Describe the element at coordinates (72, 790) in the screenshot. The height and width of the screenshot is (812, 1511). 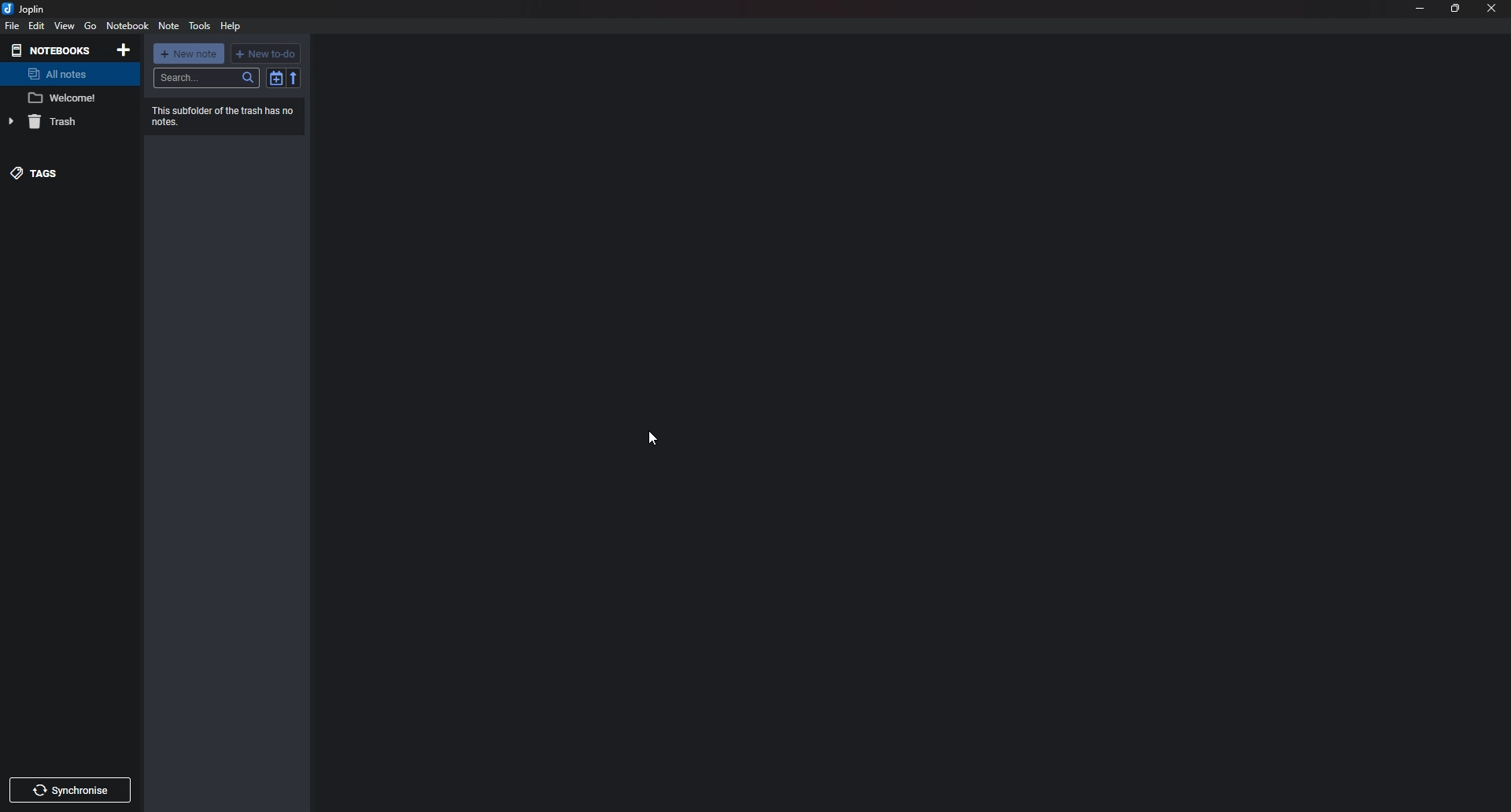
I see `synchronise` at that location.